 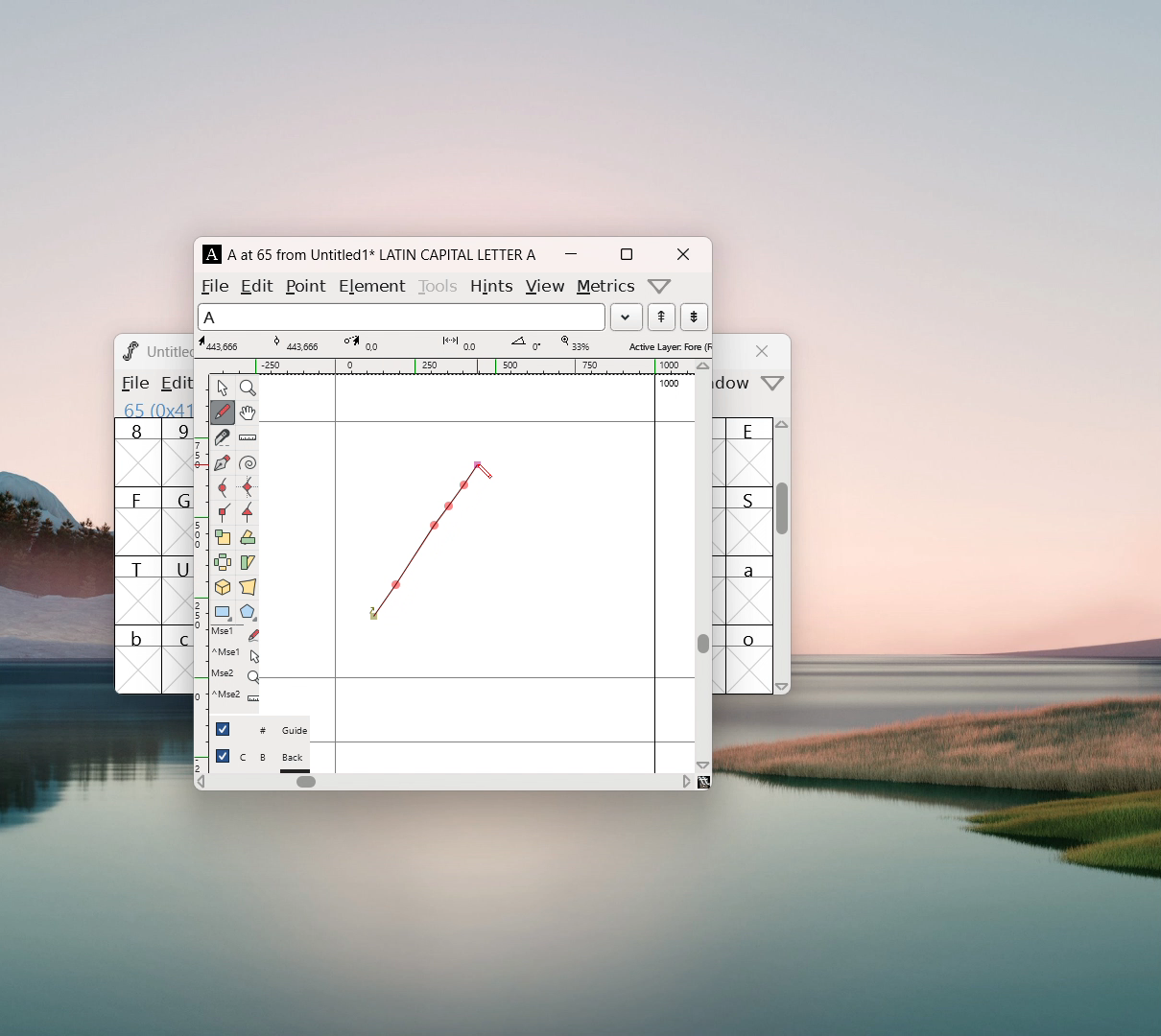 What do you see at coordinates (379, 254) in the screenshot?
I see `A at 65 from Untitled1 LATIN CAPITAL LETTER A` at bounding box center [379, 254].